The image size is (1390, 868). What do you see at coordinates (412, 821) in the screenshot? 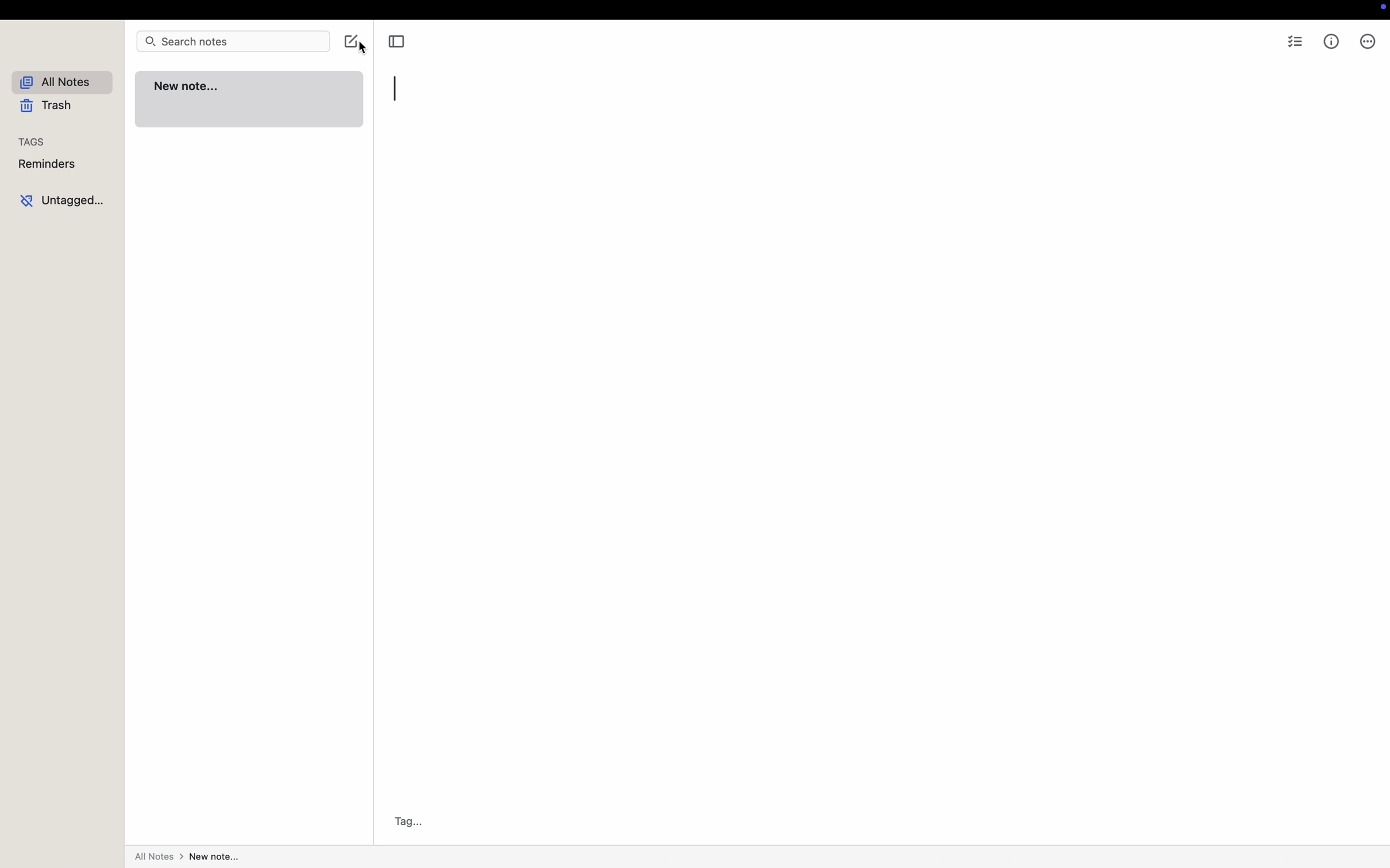
I see `Tag...` at bounding box center [412, 821].